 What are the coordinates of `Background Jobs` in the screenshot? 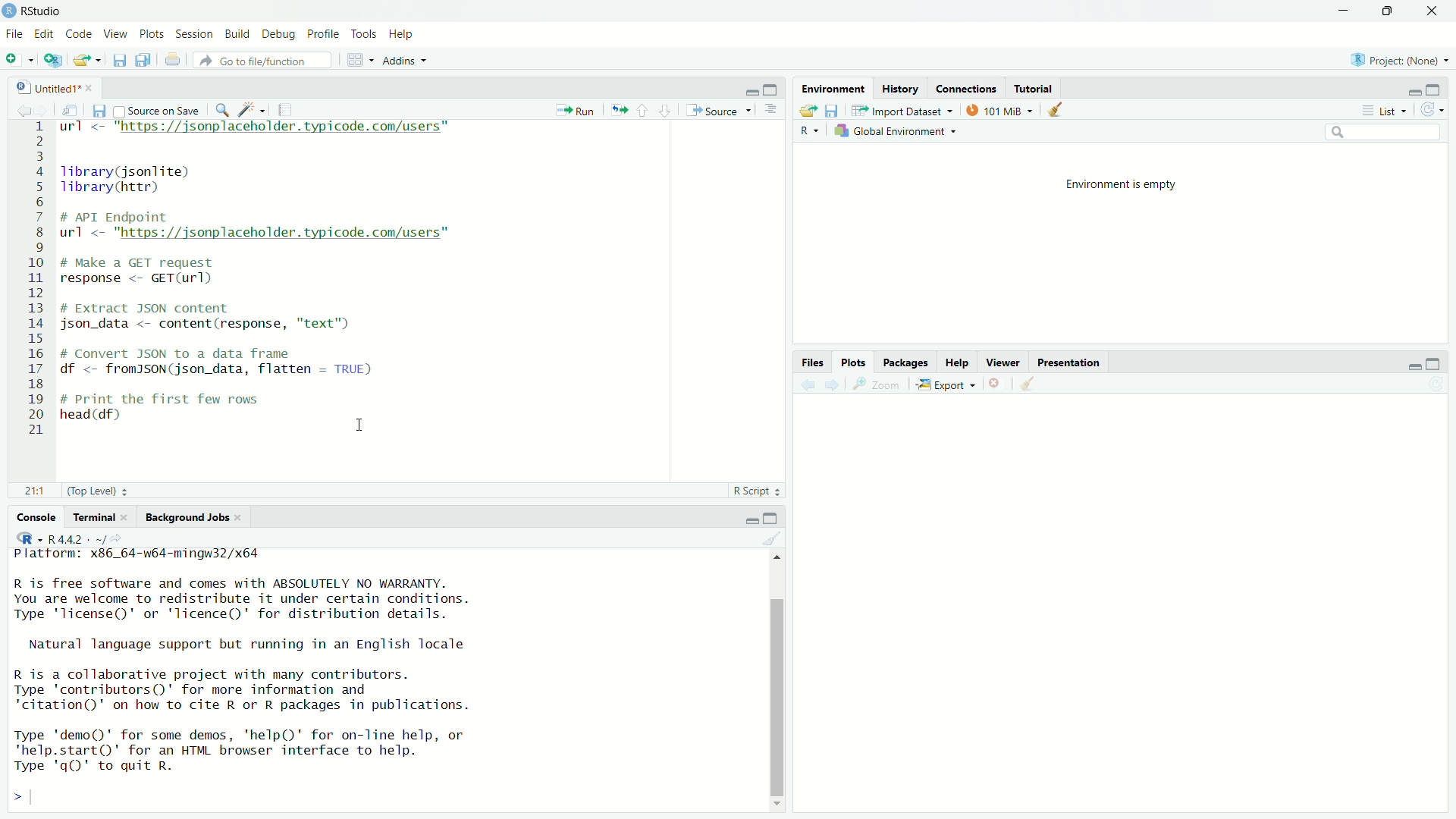 It's located at (193, 517).